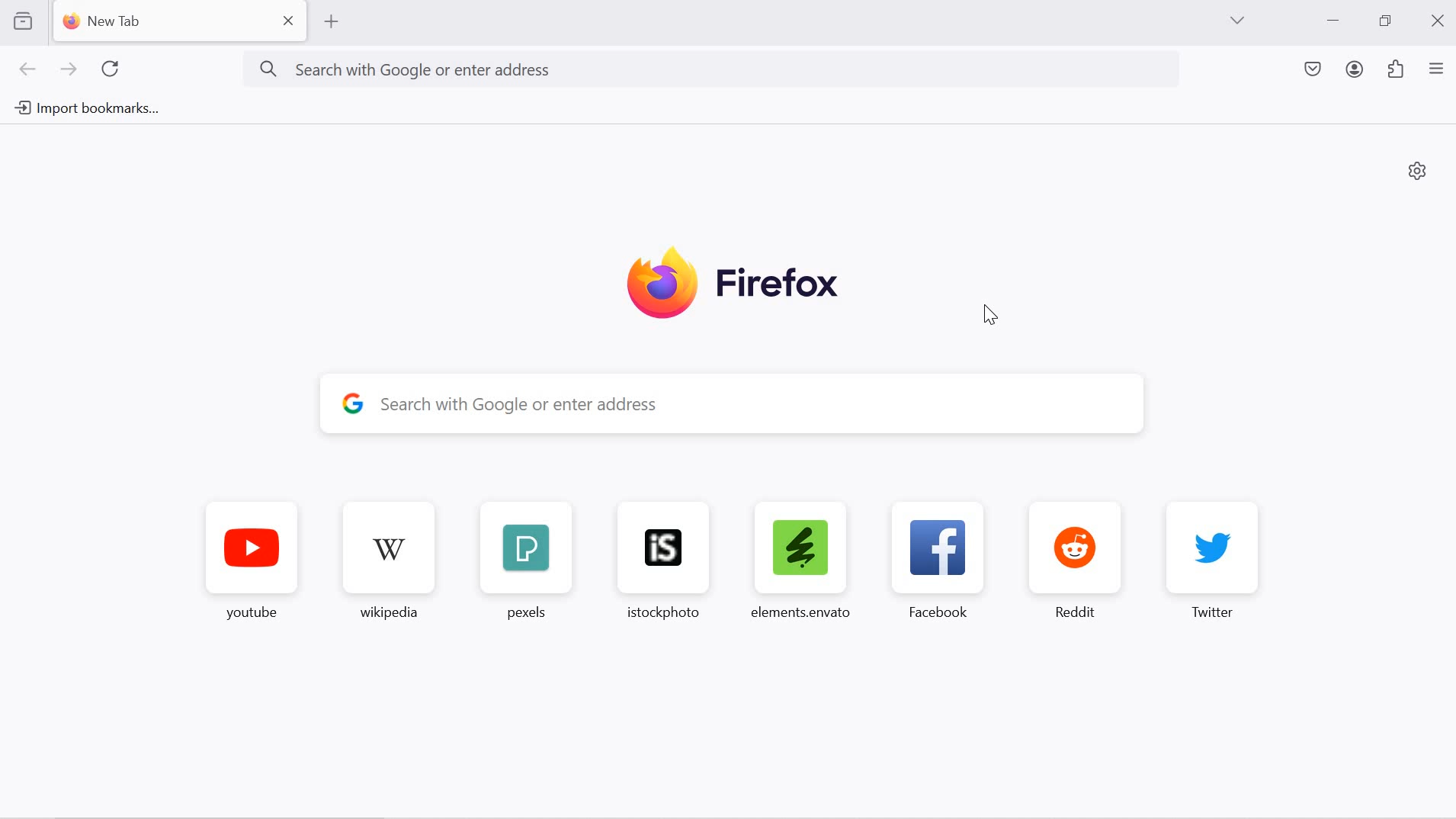 The image size is (1456, 819). I want to click on close, so click(1436, 21).